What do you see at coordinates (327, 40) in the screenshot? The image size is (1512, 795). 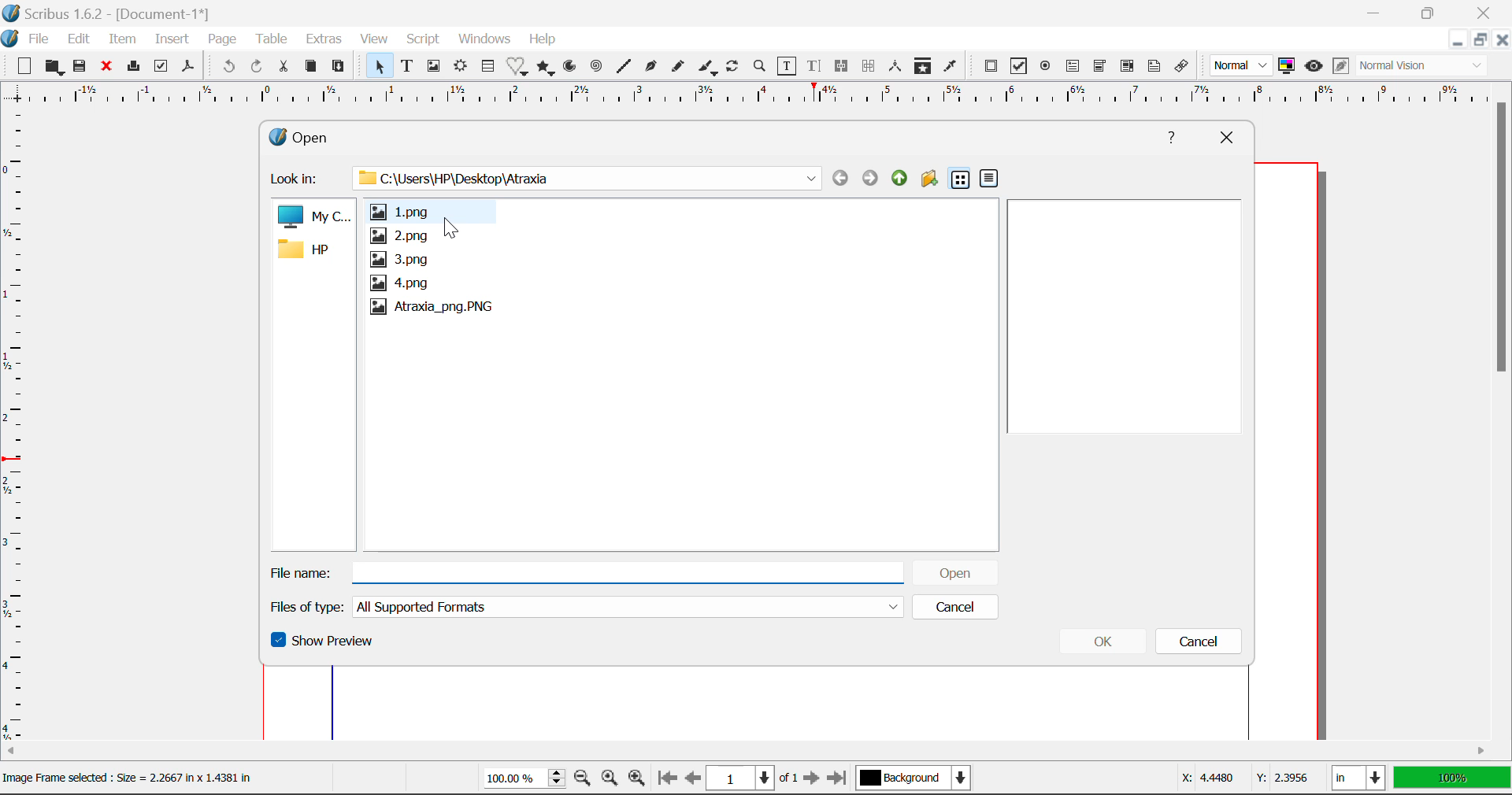 I see `Extras` at bounding box center [327, 40].